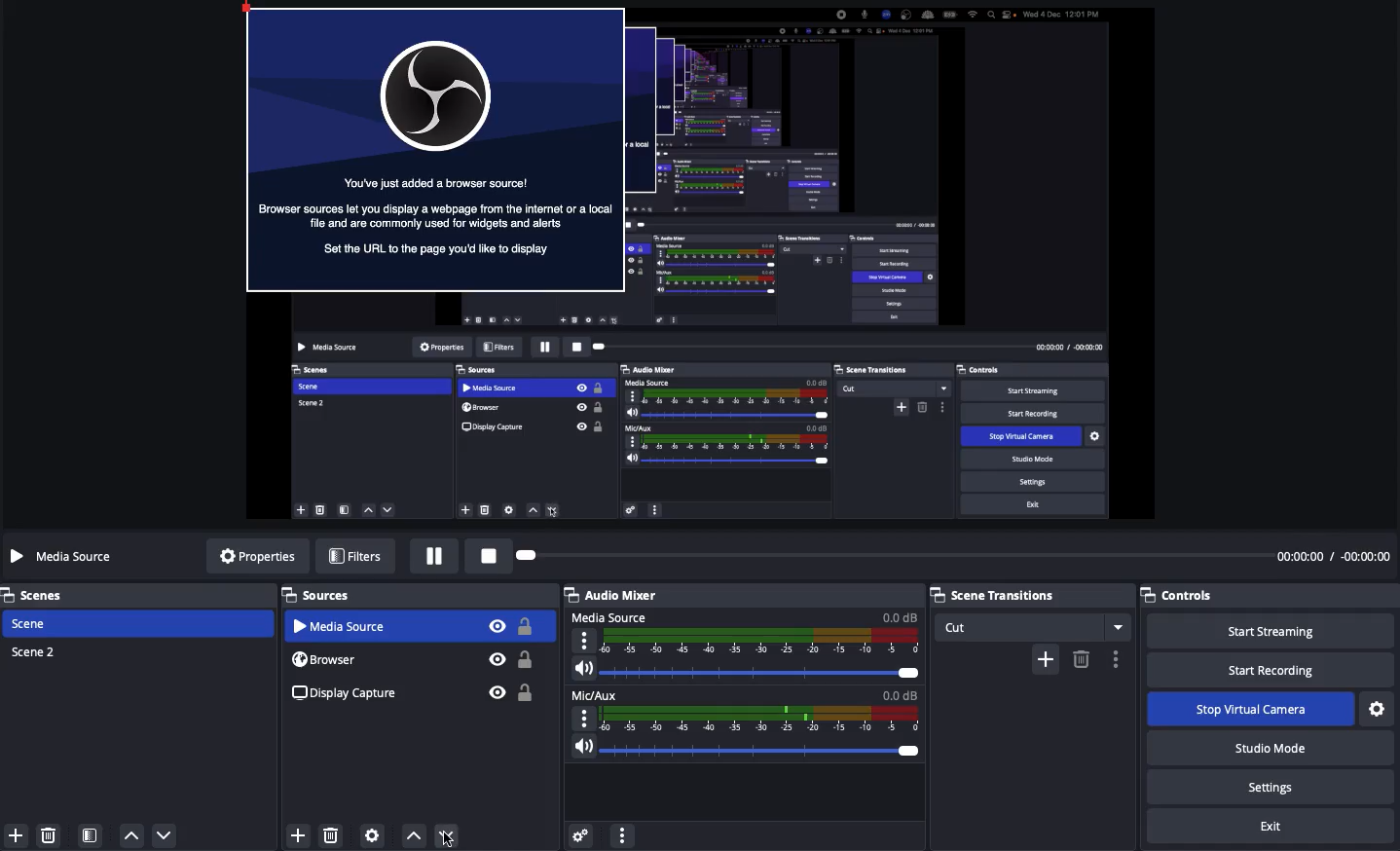 Image resolution: width=1400 pixels, height=851 pixels. What do you see at coordinates (436, 556) in the screenshot?
I see `Pause` at bounding box center [436, 556].